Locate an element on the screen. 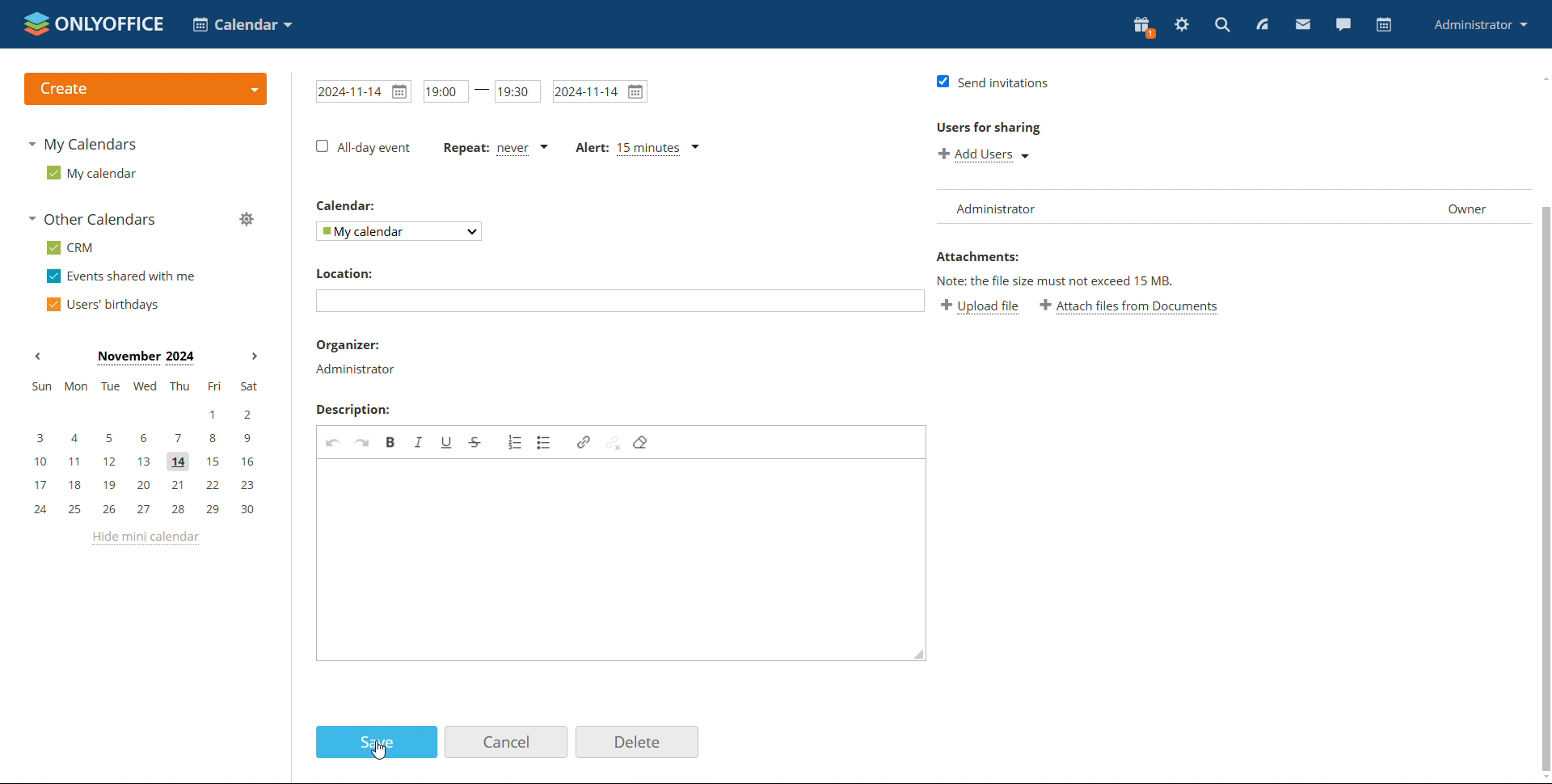 The width and height of the screenshot is (1552, 784). profile is located at coordinates (1478, 26).